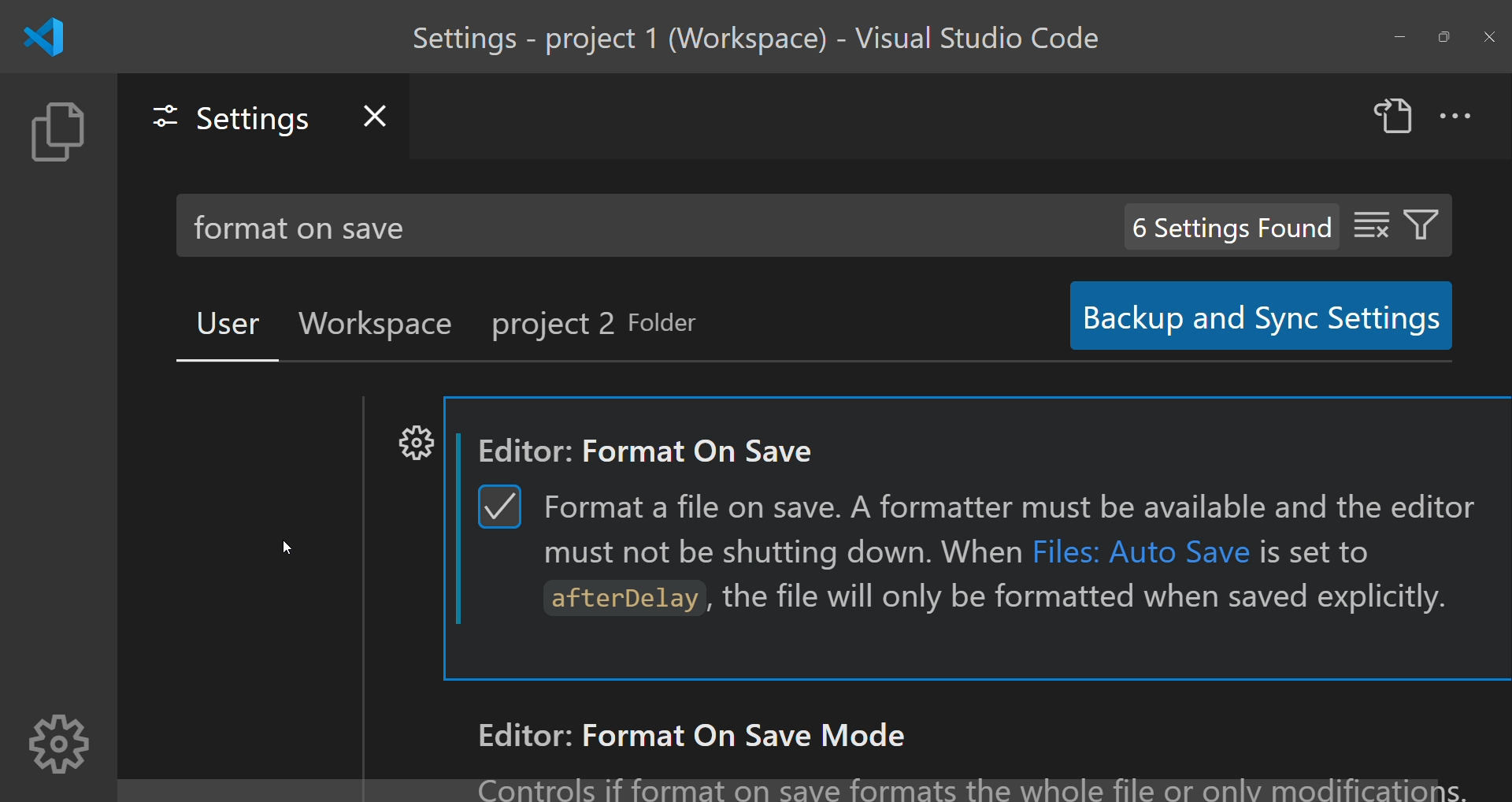  Describe the element at coordinates (1392, 118) in the screenshot. I see `open settings` at that location.